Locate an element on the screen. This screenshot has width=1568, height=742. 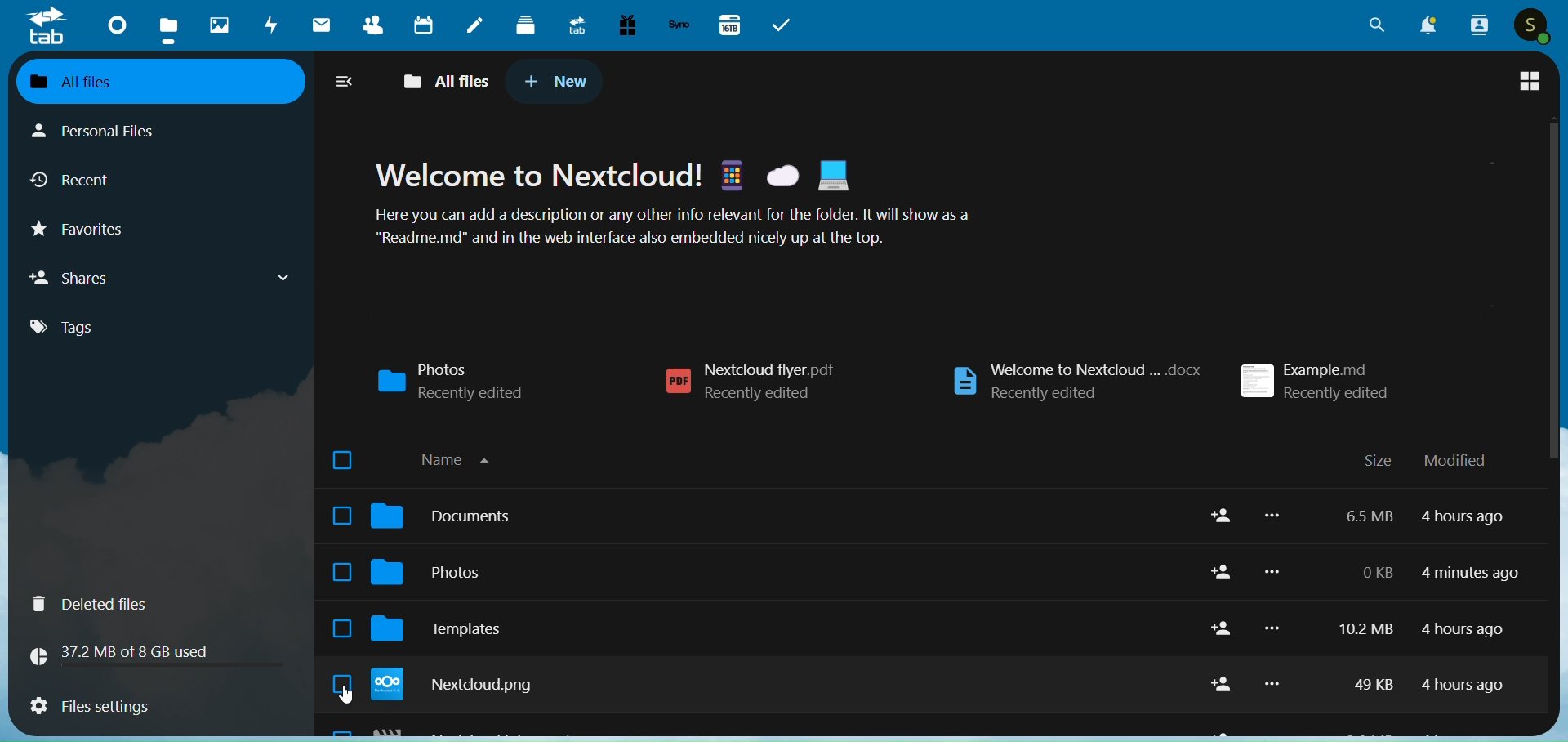
6.5MB 4 hours ago is located at coordinates (1424, 516).